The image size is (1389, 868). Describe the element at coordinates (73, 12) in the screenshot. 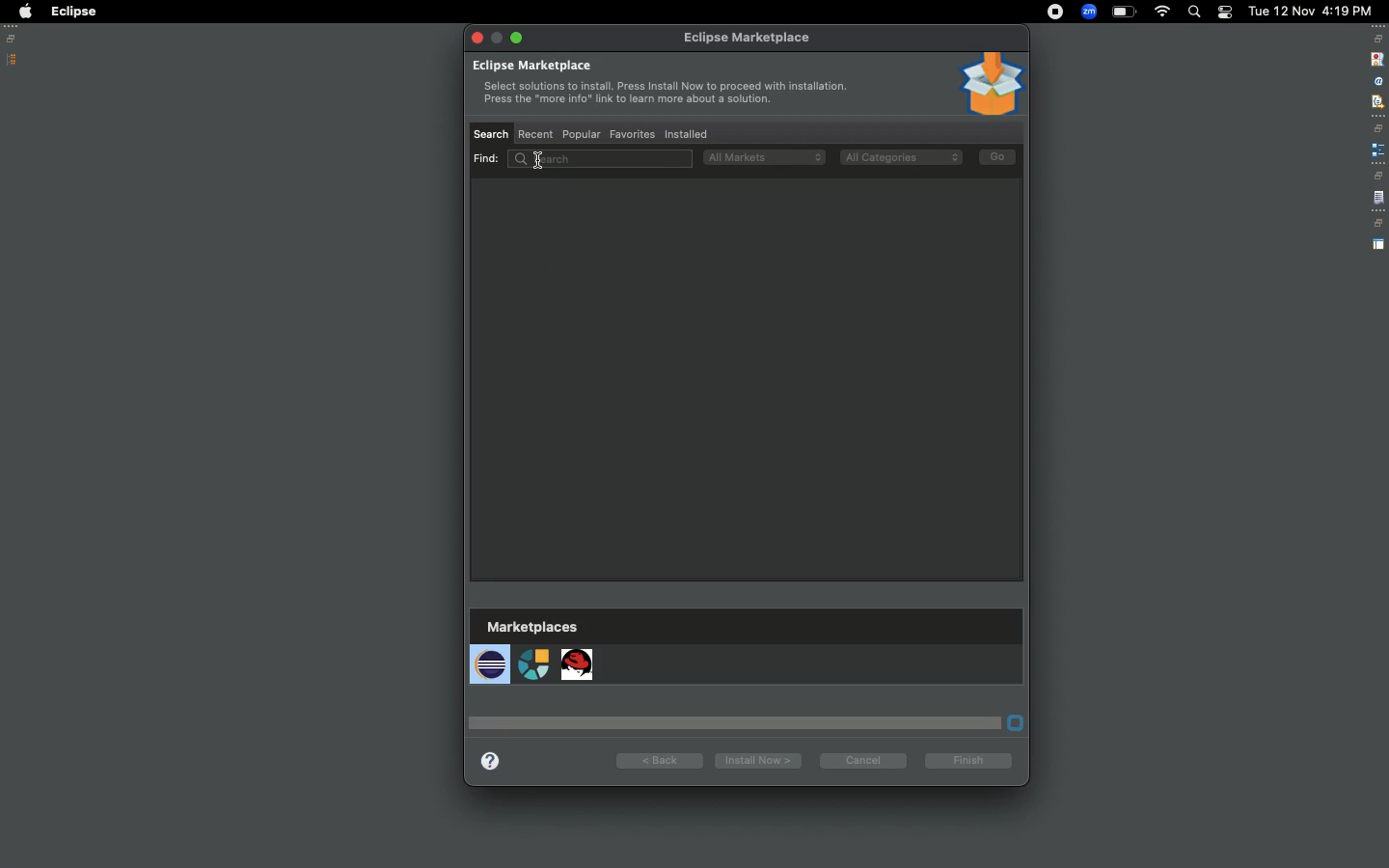

I see `Eclipse` at that location.